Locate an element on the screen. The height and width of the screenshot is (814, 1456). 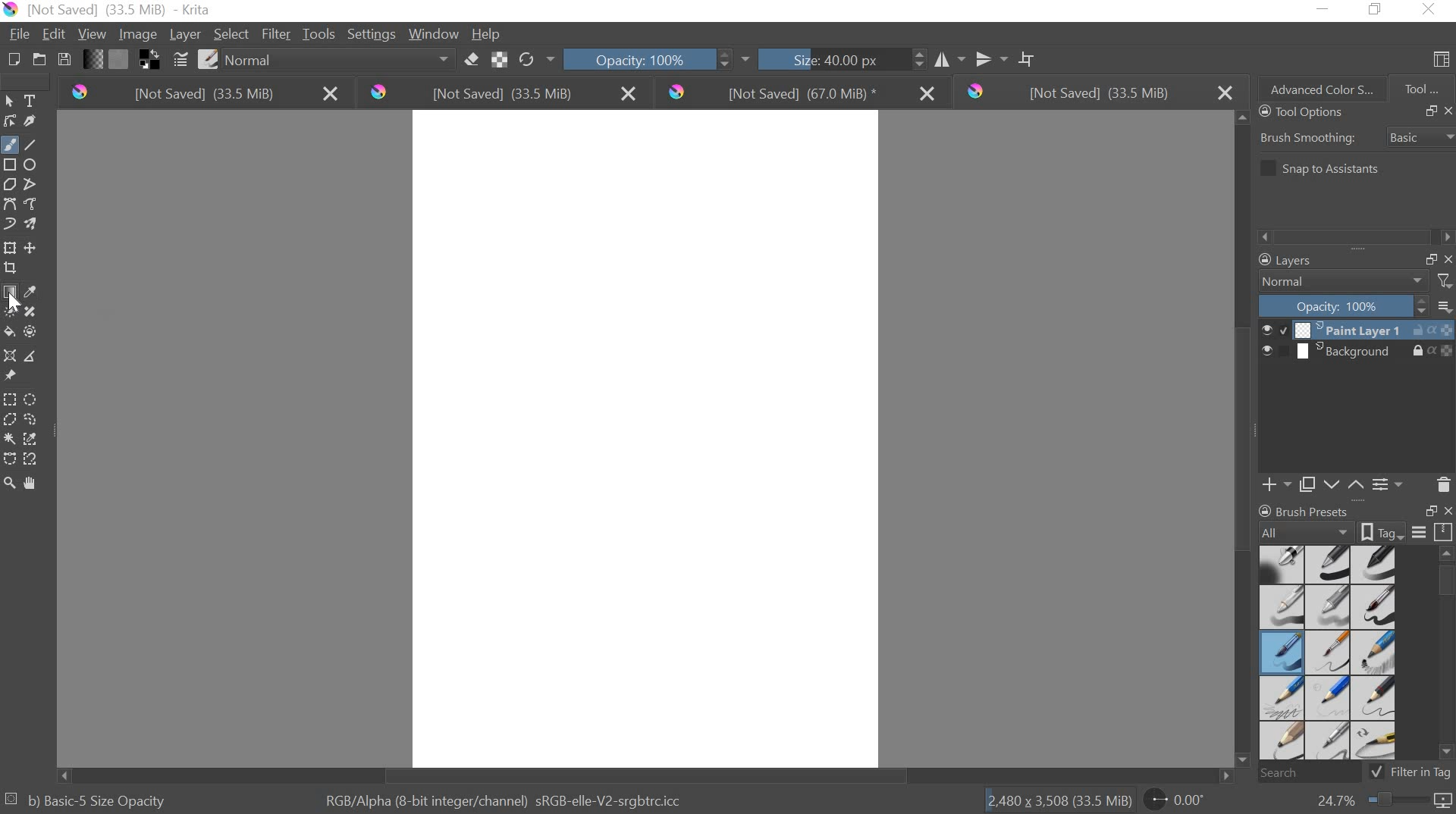
SCROLLBAR is located at coordinates (1353, 238).